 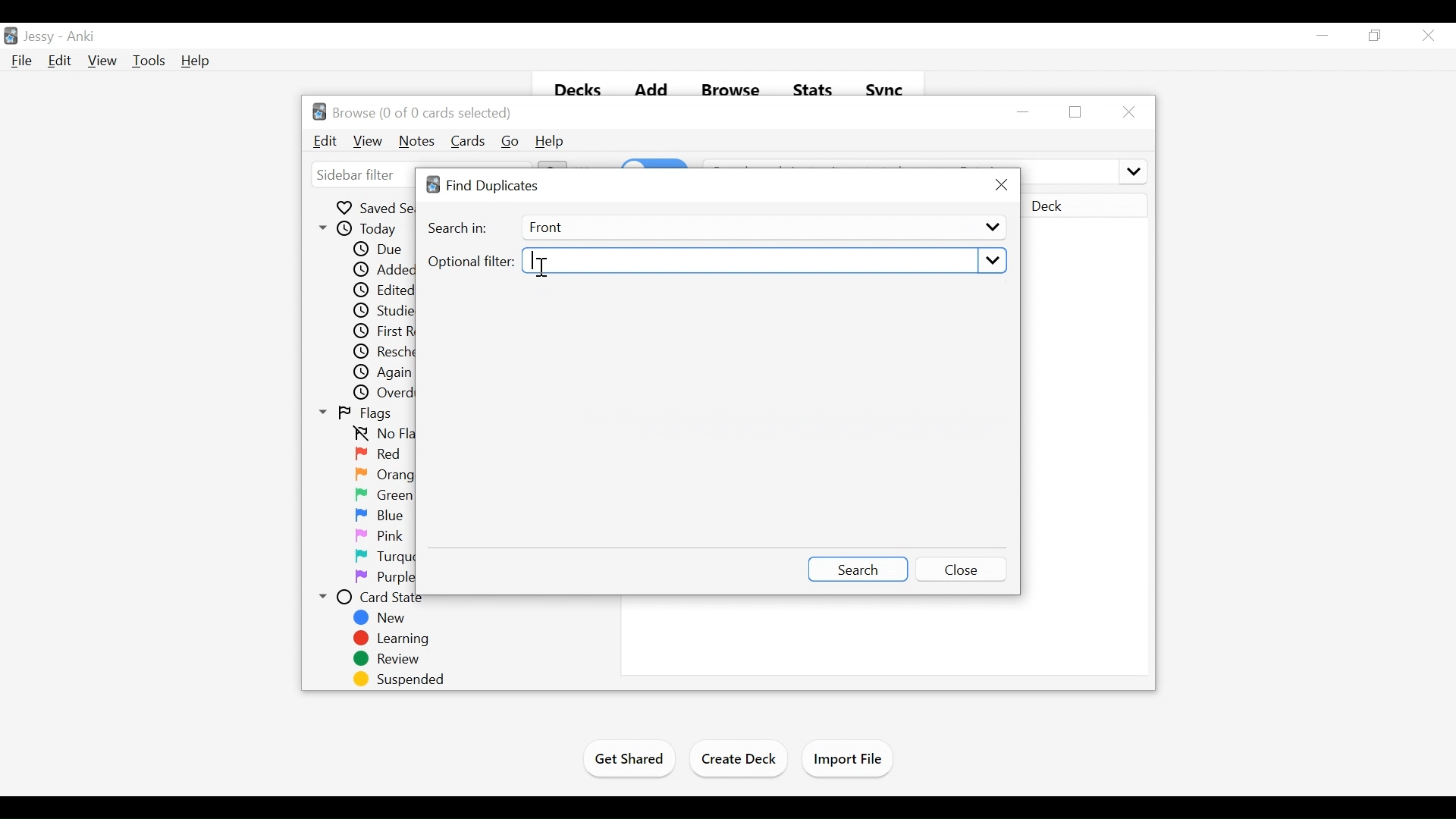 I want to click on Import Files, so click(x=847, y=759).